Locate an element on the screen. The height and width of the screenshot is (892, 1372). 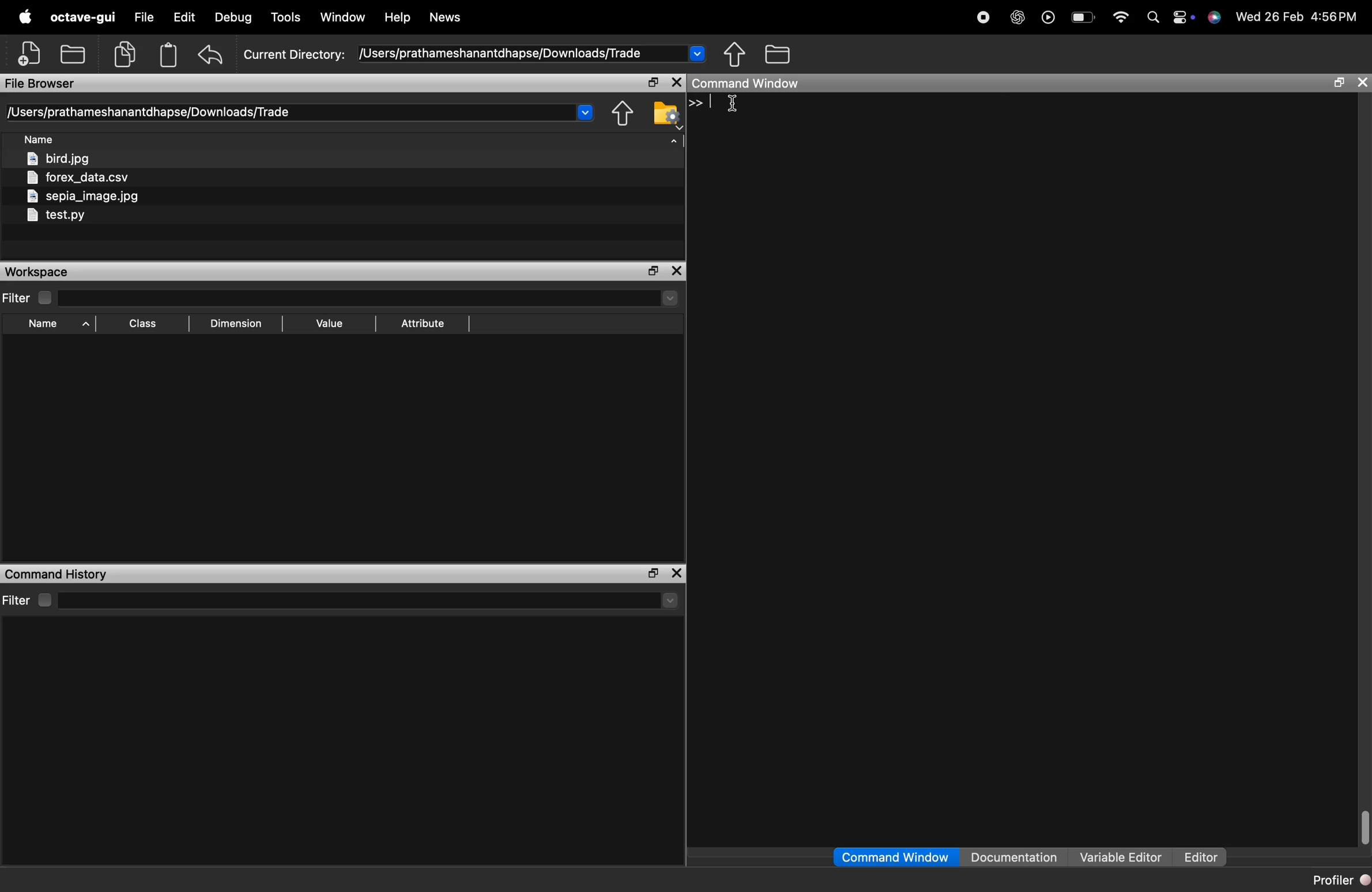
Documentation is located at coordinates (1016, 858).